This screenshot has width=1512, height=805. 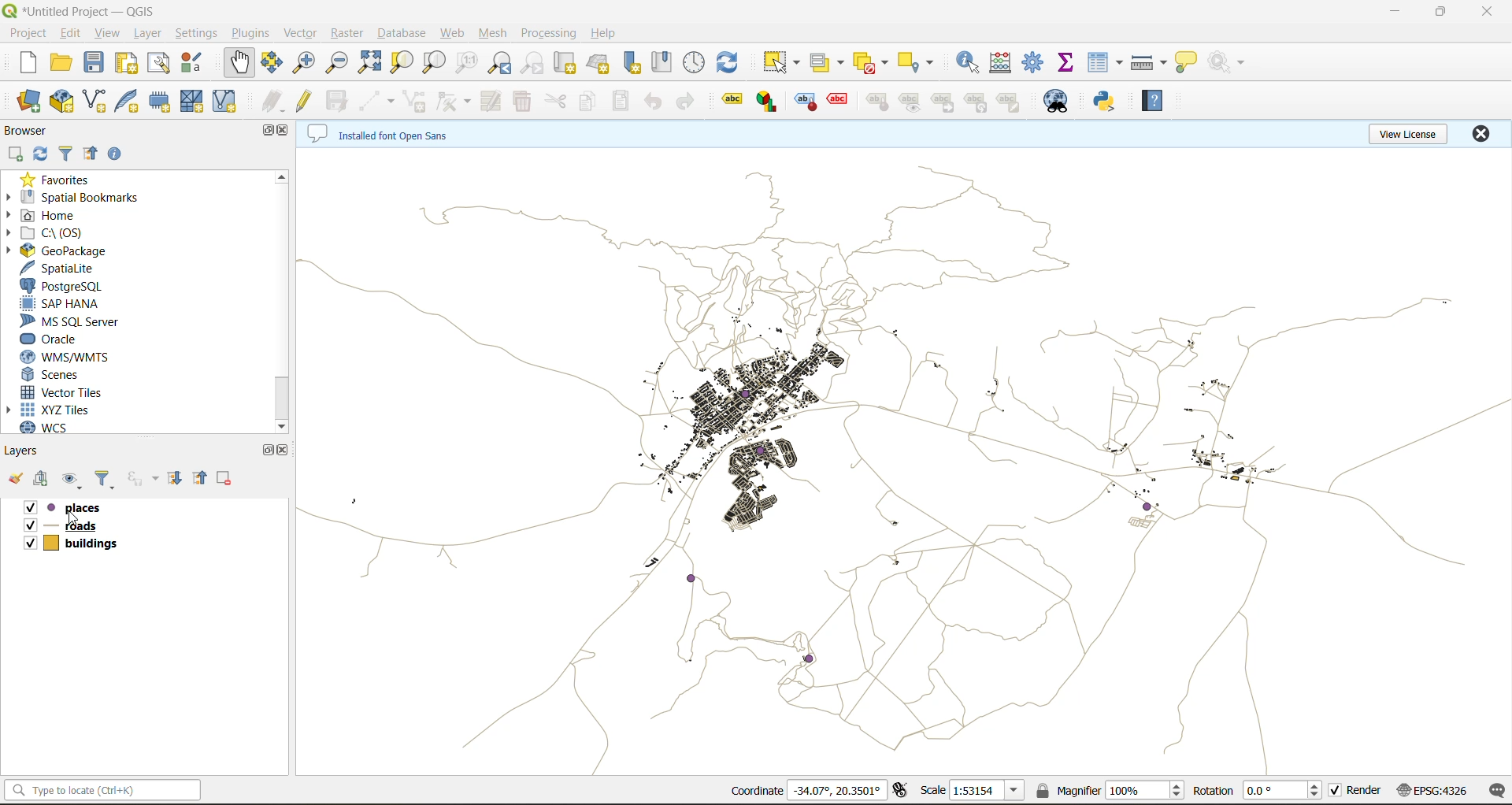 What do you see at coordinates (85, 392) in the screenshot?
I see `vector tiles` at bounding box center [85, 392].